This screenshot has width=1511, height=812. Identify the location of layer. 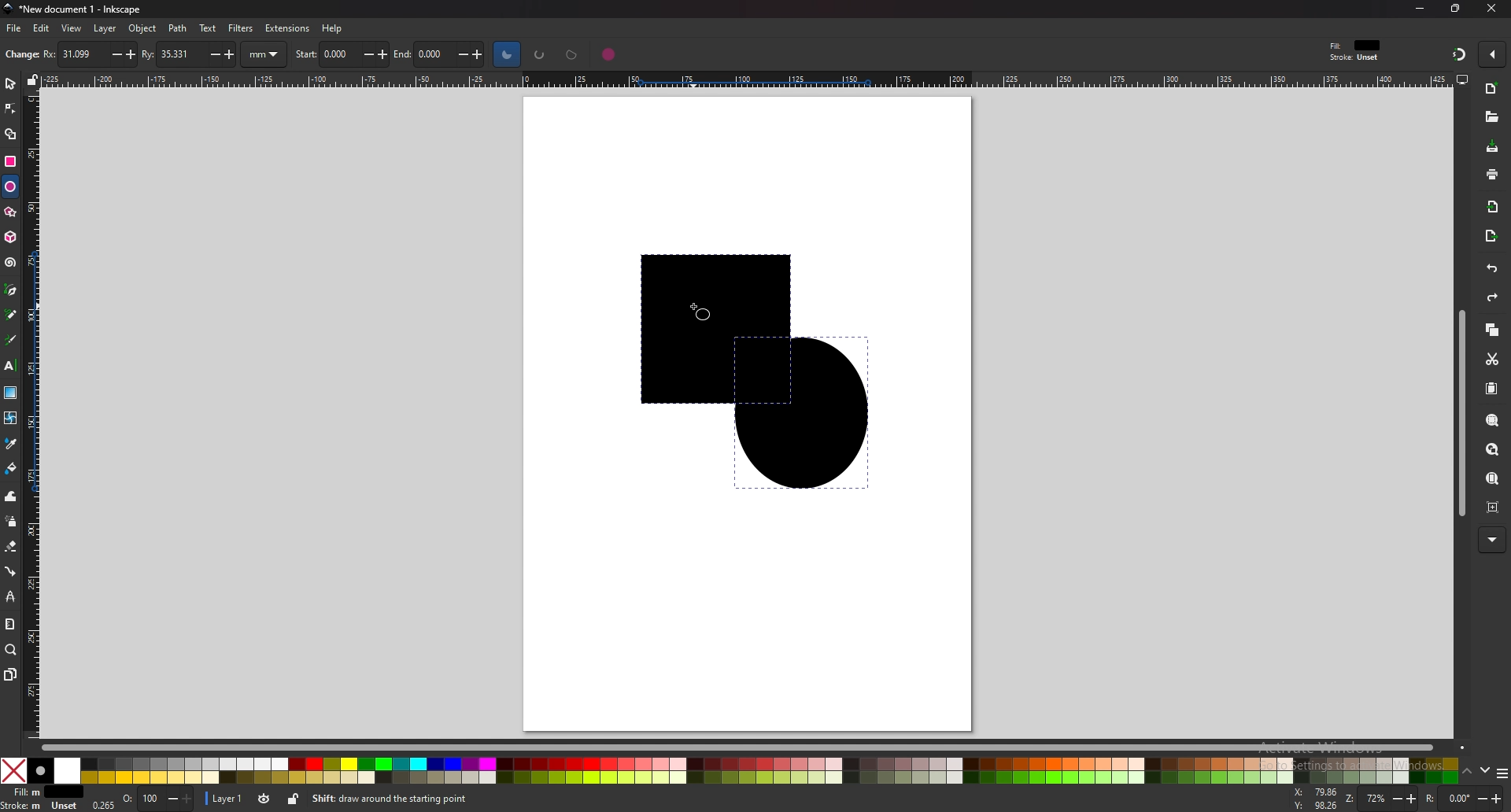
(106, 29).